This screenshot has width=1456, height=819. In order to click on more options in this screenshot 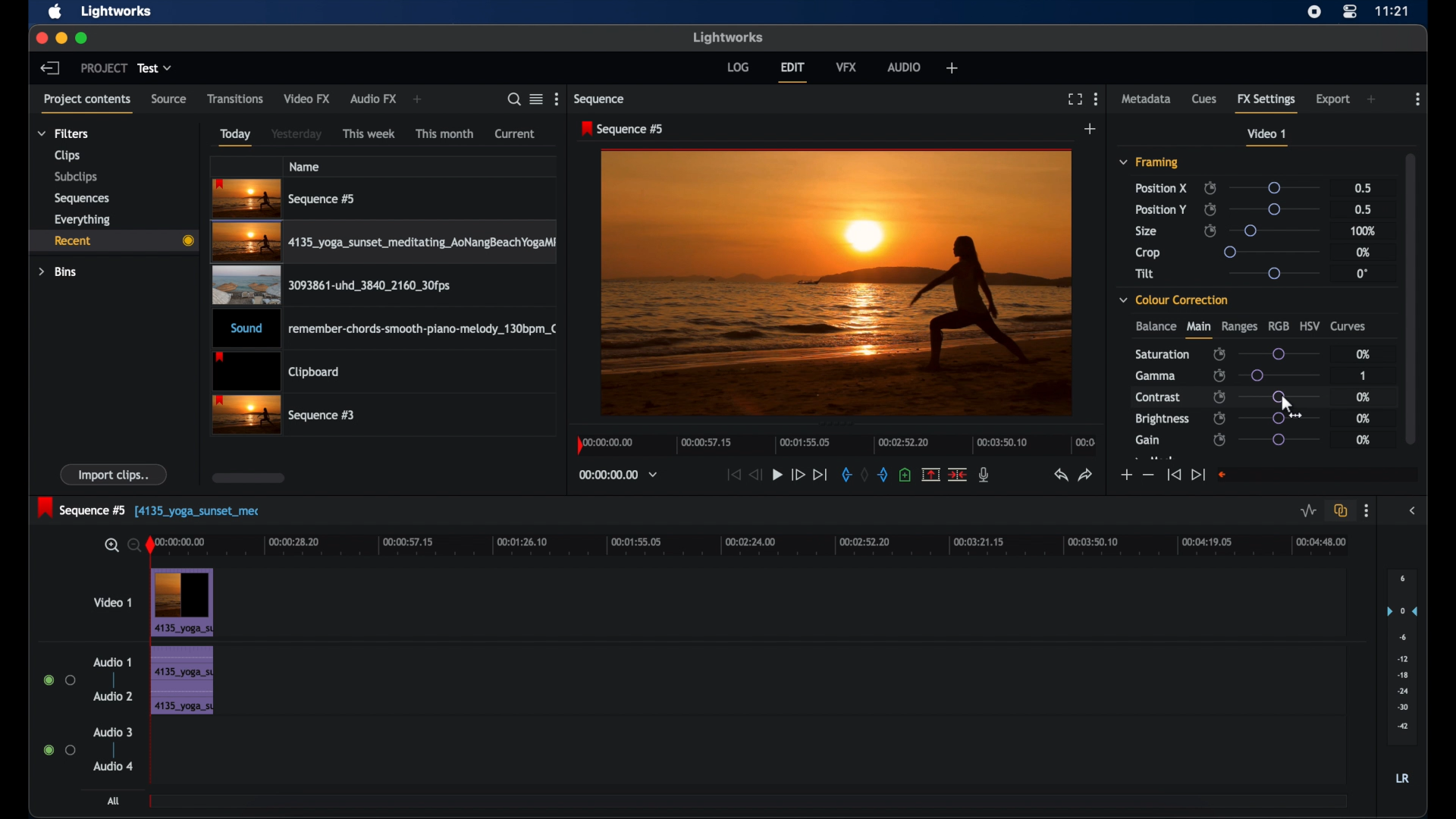, I will do `click(1418, 99)`.